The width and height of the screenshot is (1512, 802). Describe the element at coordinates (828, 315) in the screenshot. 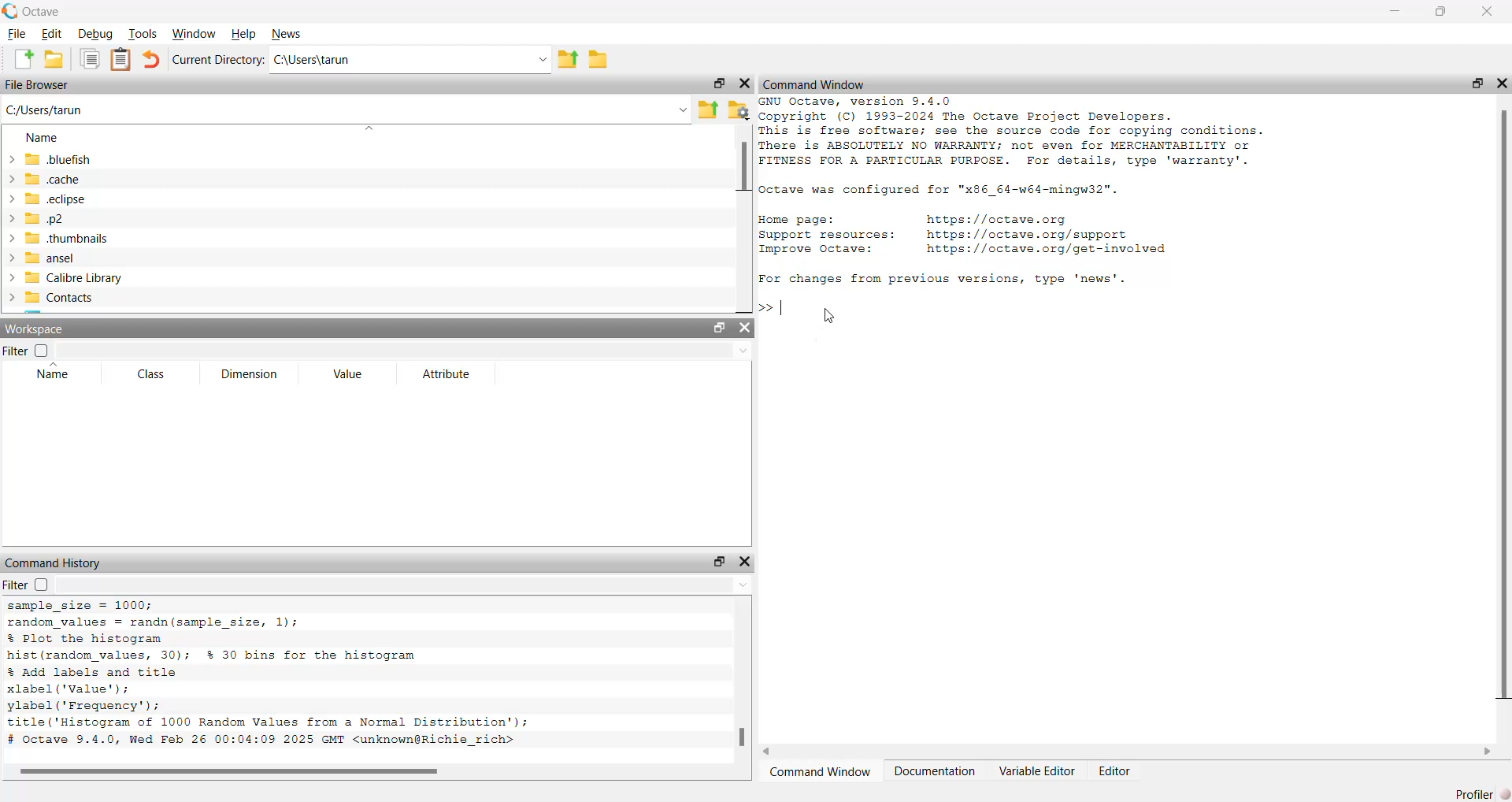

I see `cursor` at that location.